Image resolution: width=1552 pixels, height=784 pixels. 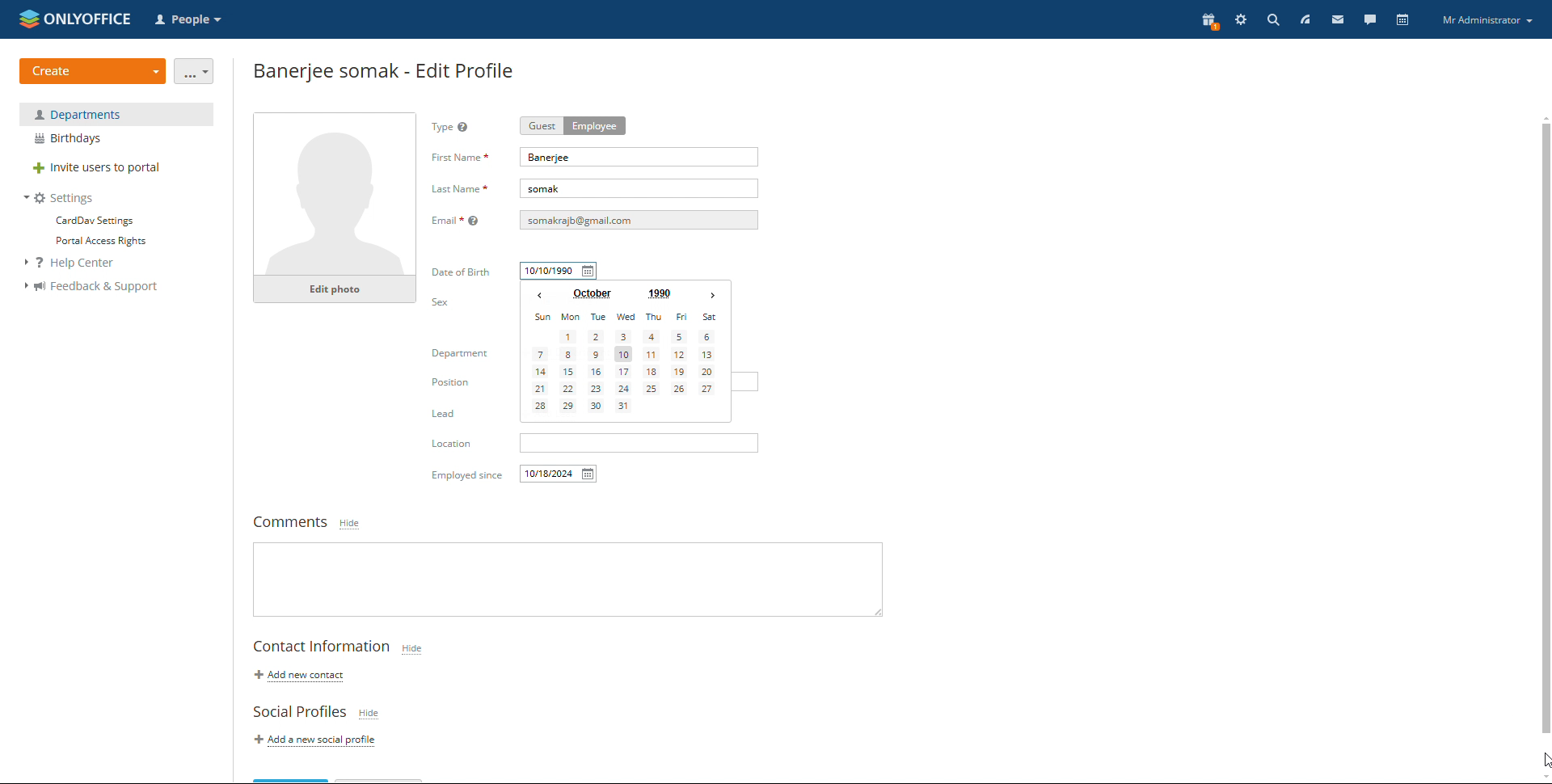 I want to click on sex, so click(x=441, y=302).